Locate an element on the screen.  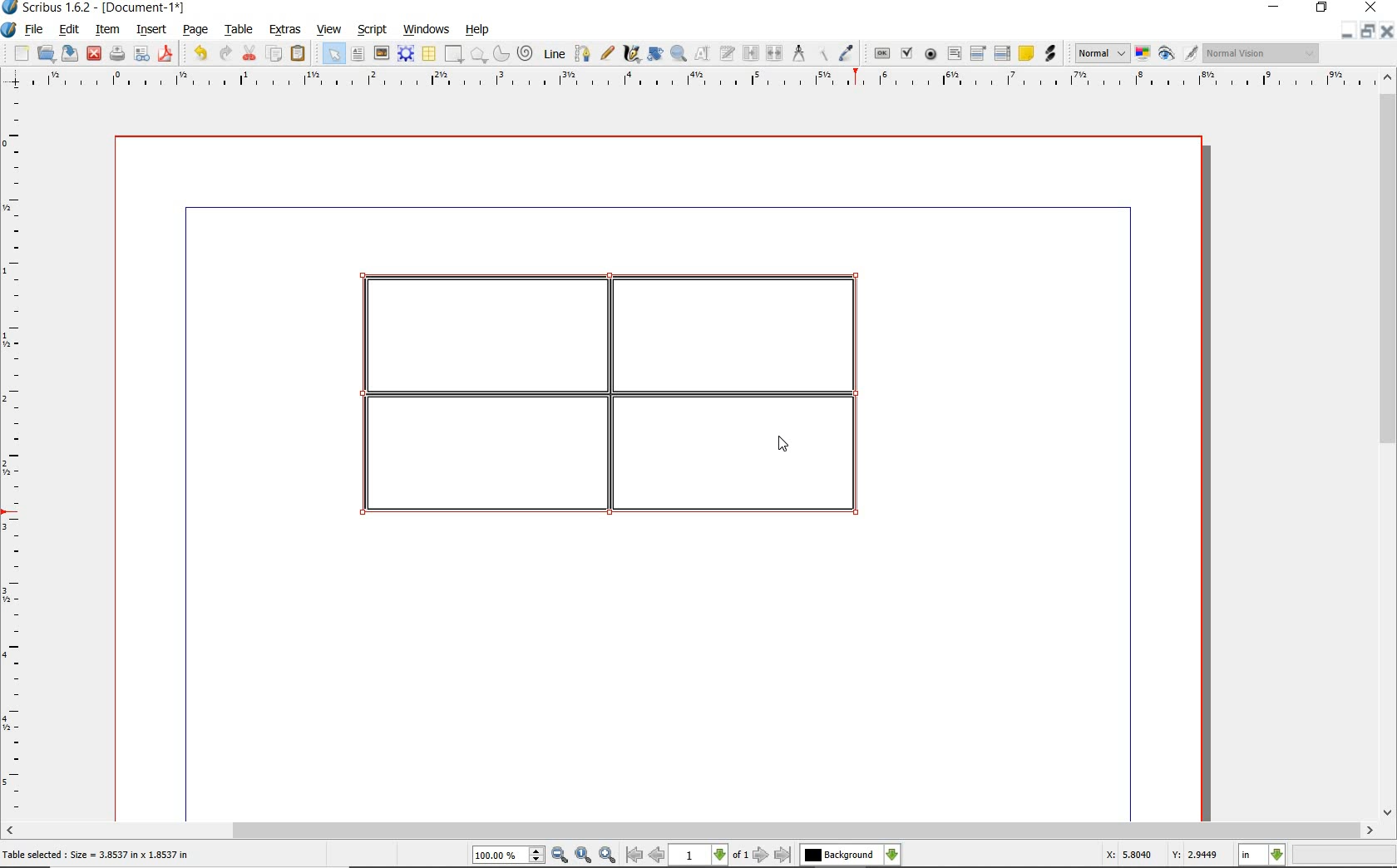
calligraphic line is located at coordinates (632, 54).